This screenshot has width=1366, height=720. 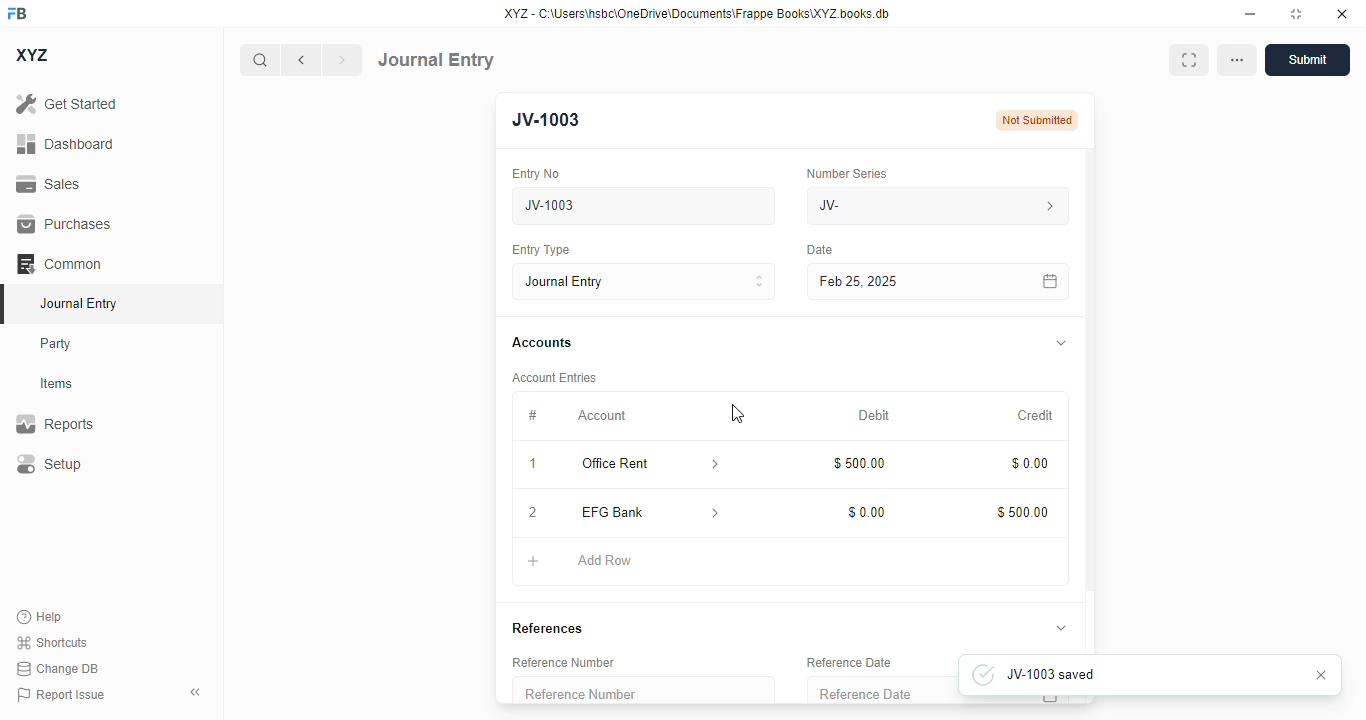 I want to click on $ 0.00, so click(x=868, y=512).